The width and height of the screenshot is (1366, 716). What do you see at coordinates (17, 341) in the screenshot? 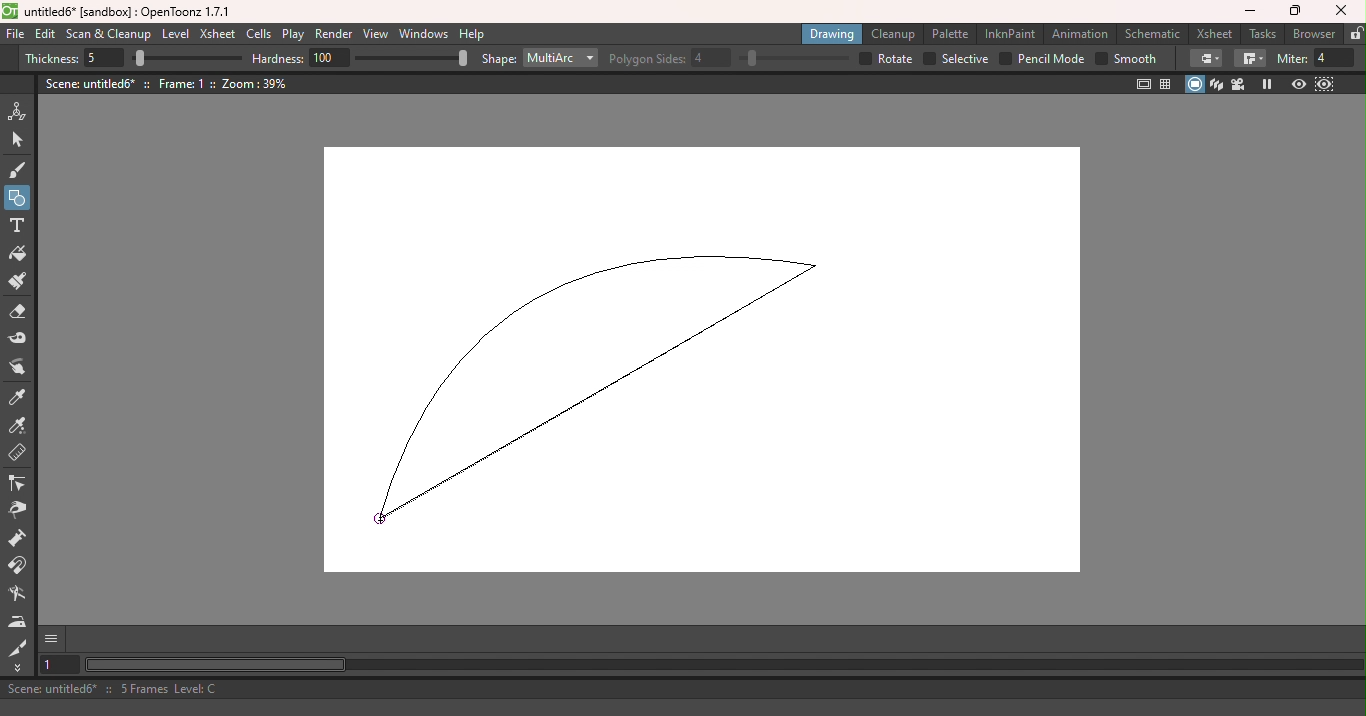
I see `Tape tool` at bounding box center [17, 341].